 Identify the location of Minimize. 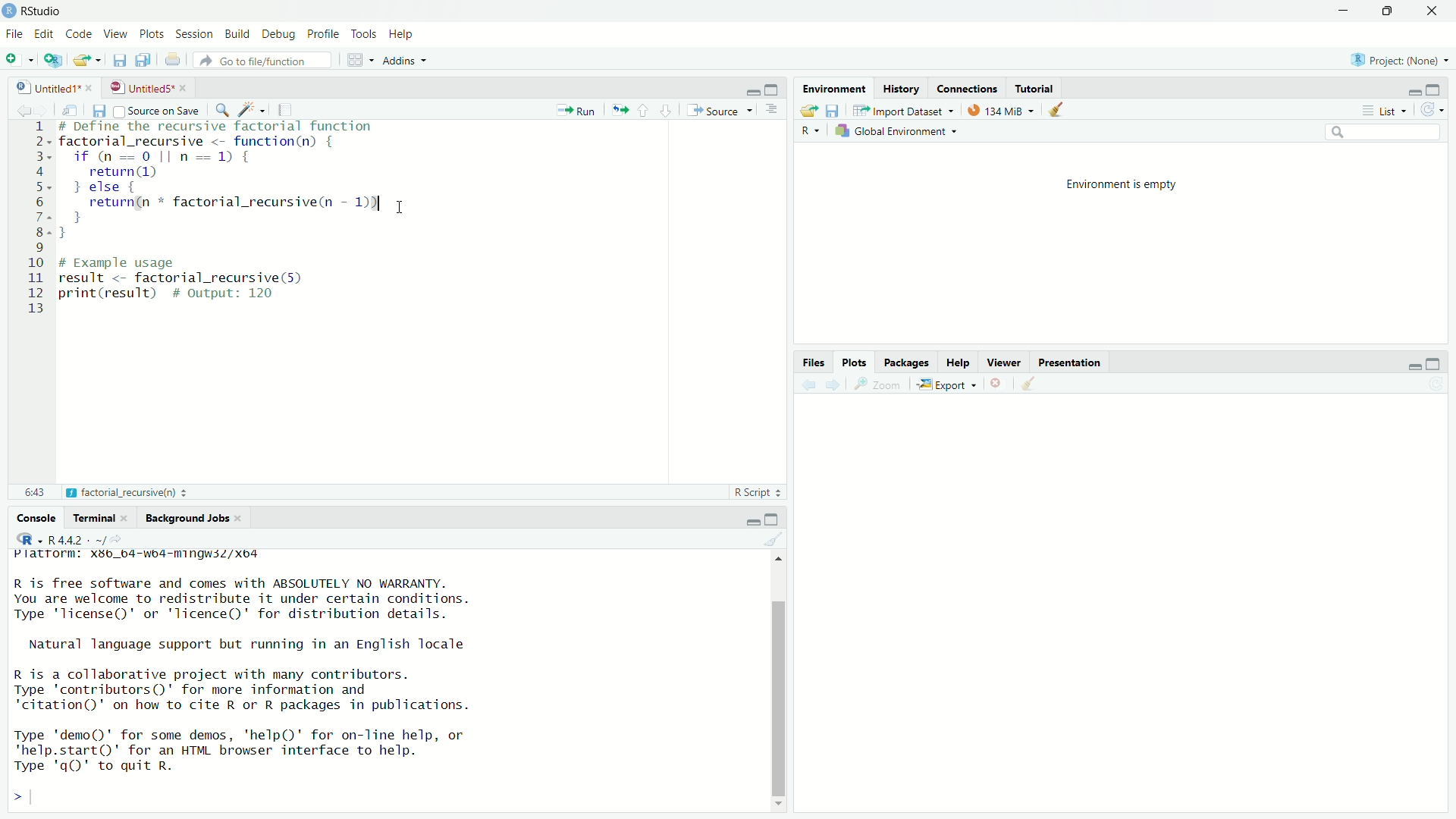
(1413, 92).